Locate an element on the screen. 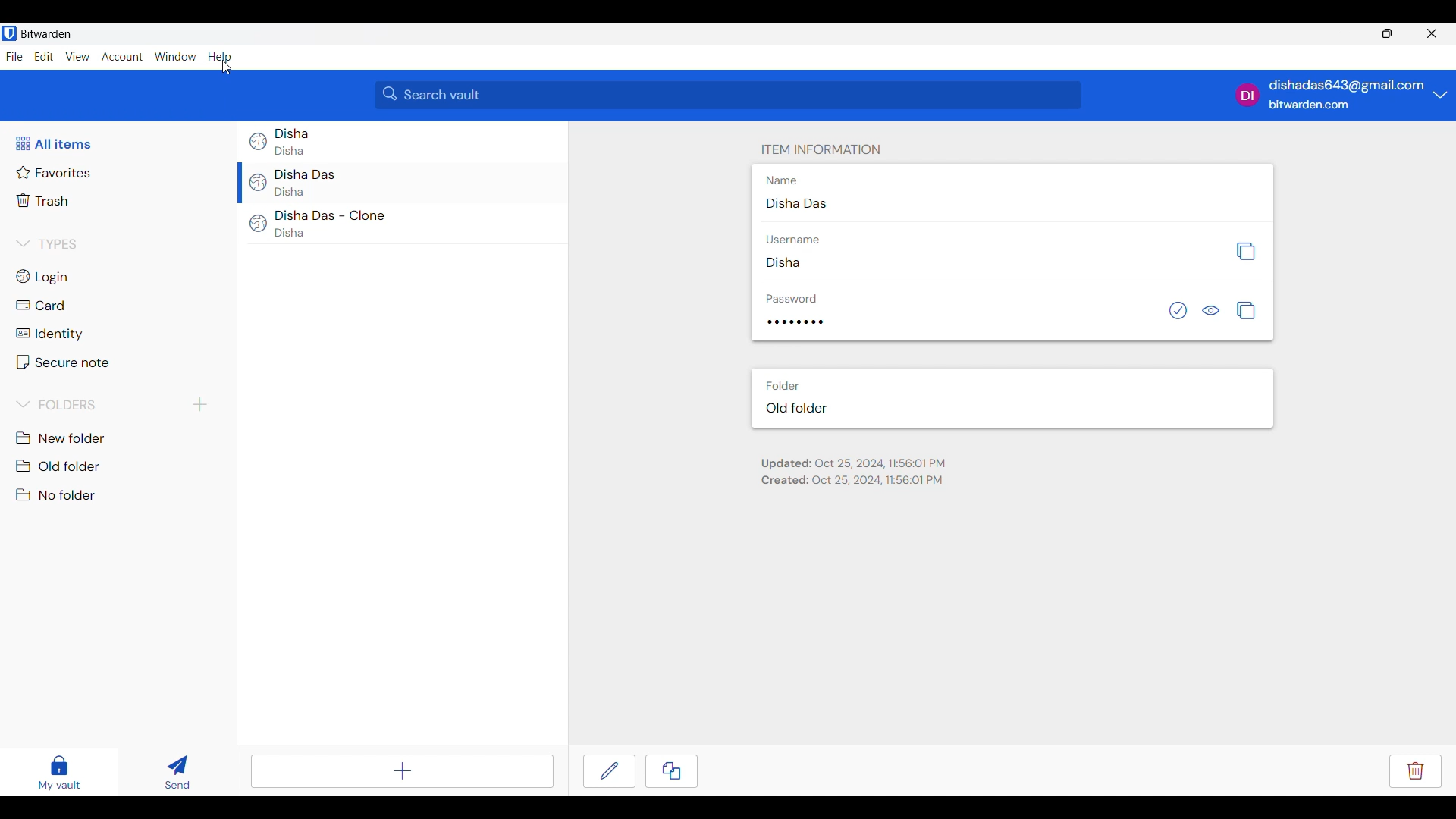 This screenshot has width=1456, height=819. Show in smaller tab is located at coordinates (1387, 33).